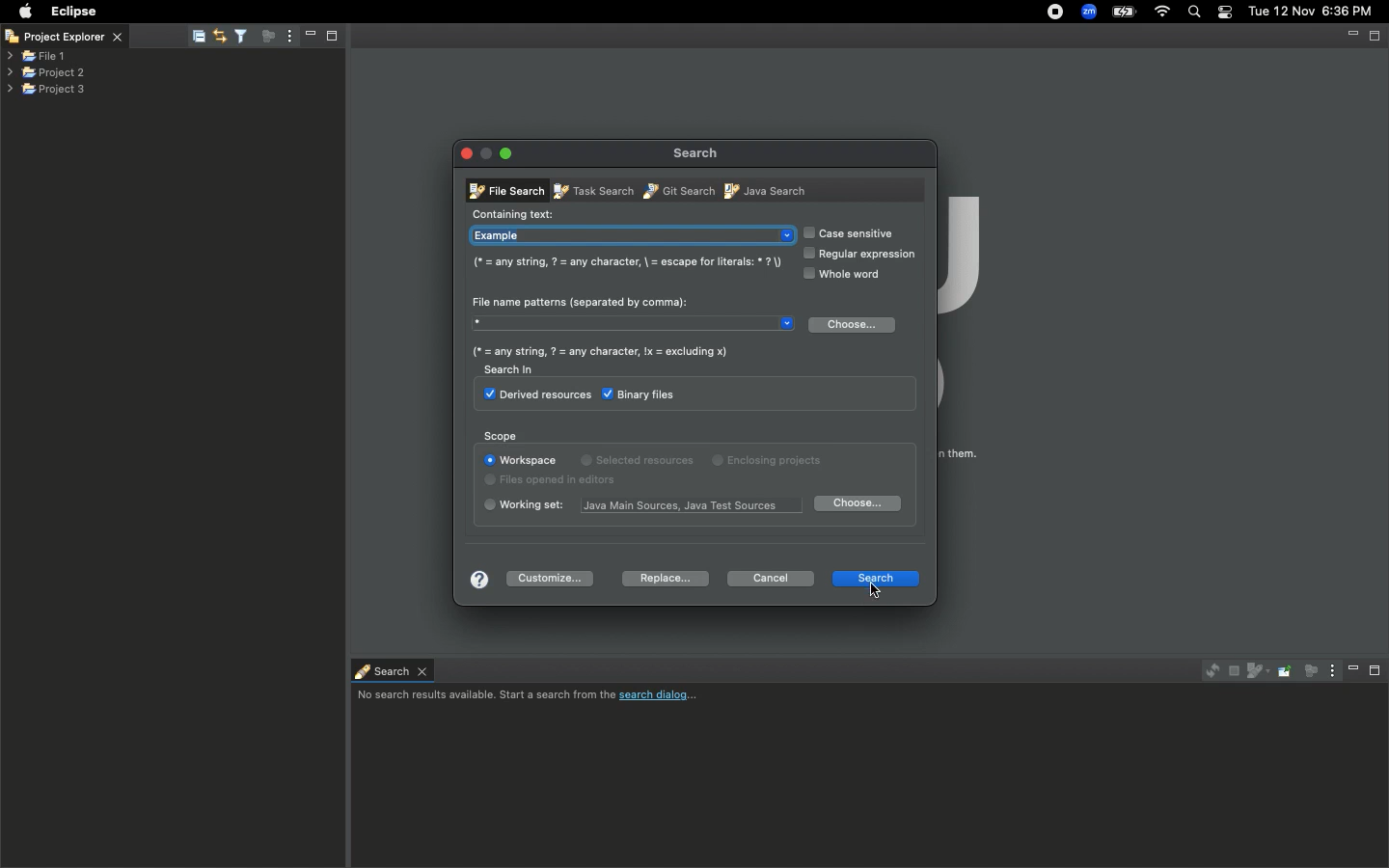 The height and width of the screenshot is (868, 1389). What do you see at coordinates (288, 11) in the screenshot?
I see `Search` at bounding box center [288, 11].